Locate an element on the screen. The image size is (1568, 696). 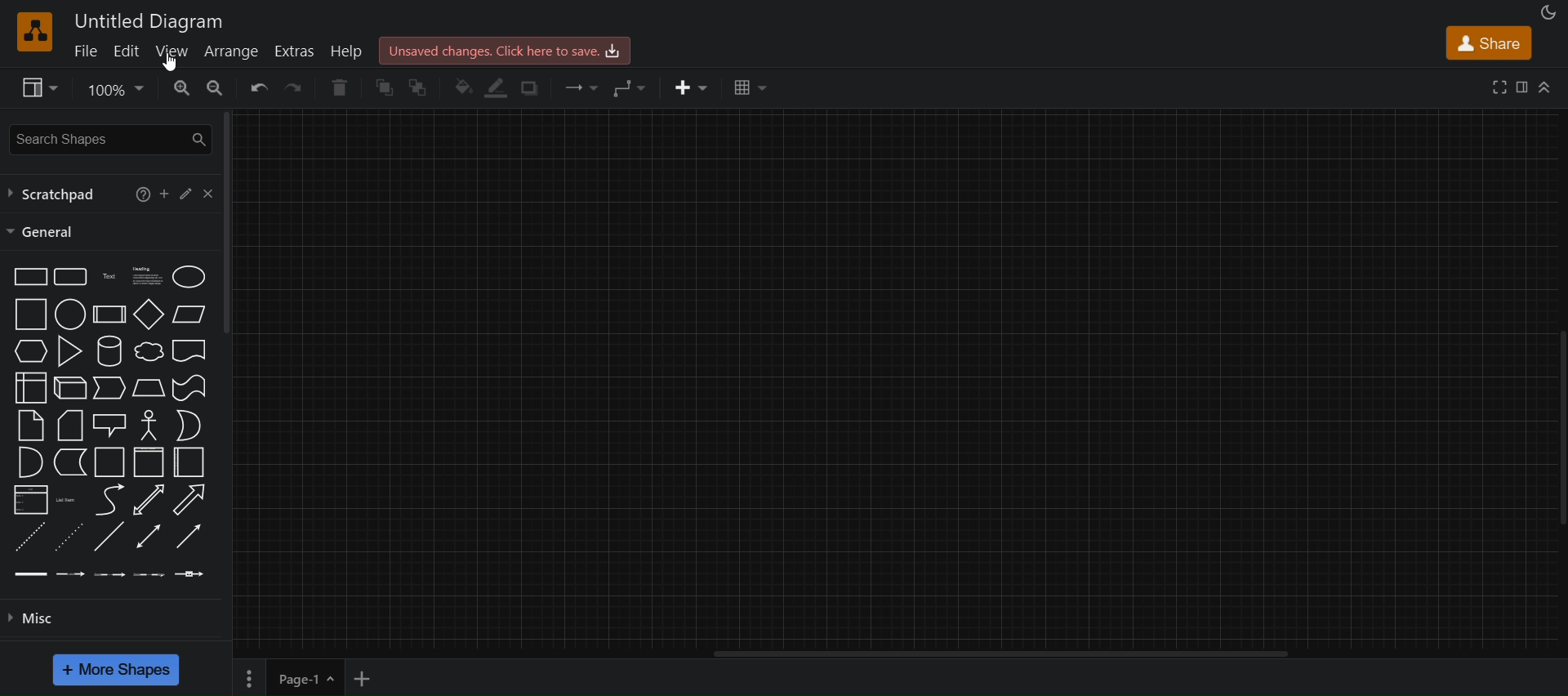
fill color is located at coordinates (465, 87).